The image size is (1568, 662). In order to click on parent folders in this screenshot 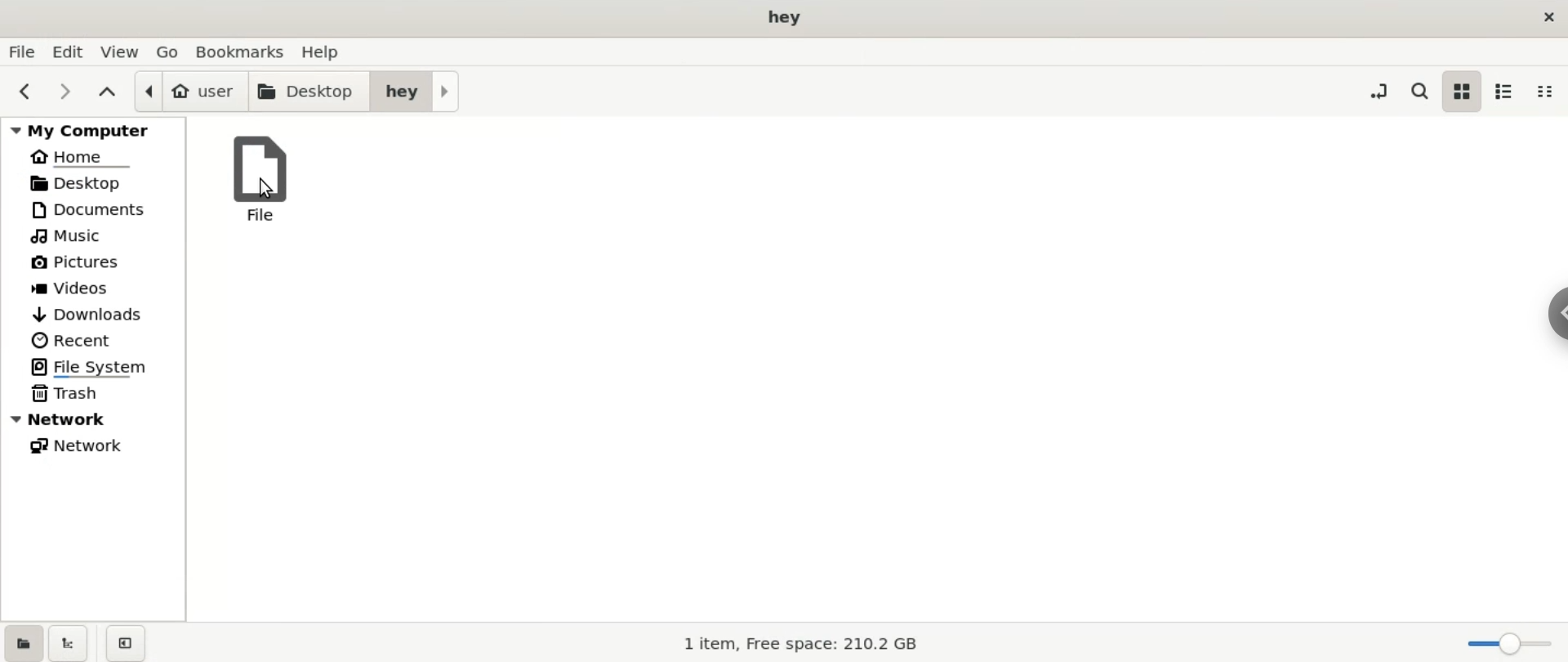, I will do `click(108, 89)`.